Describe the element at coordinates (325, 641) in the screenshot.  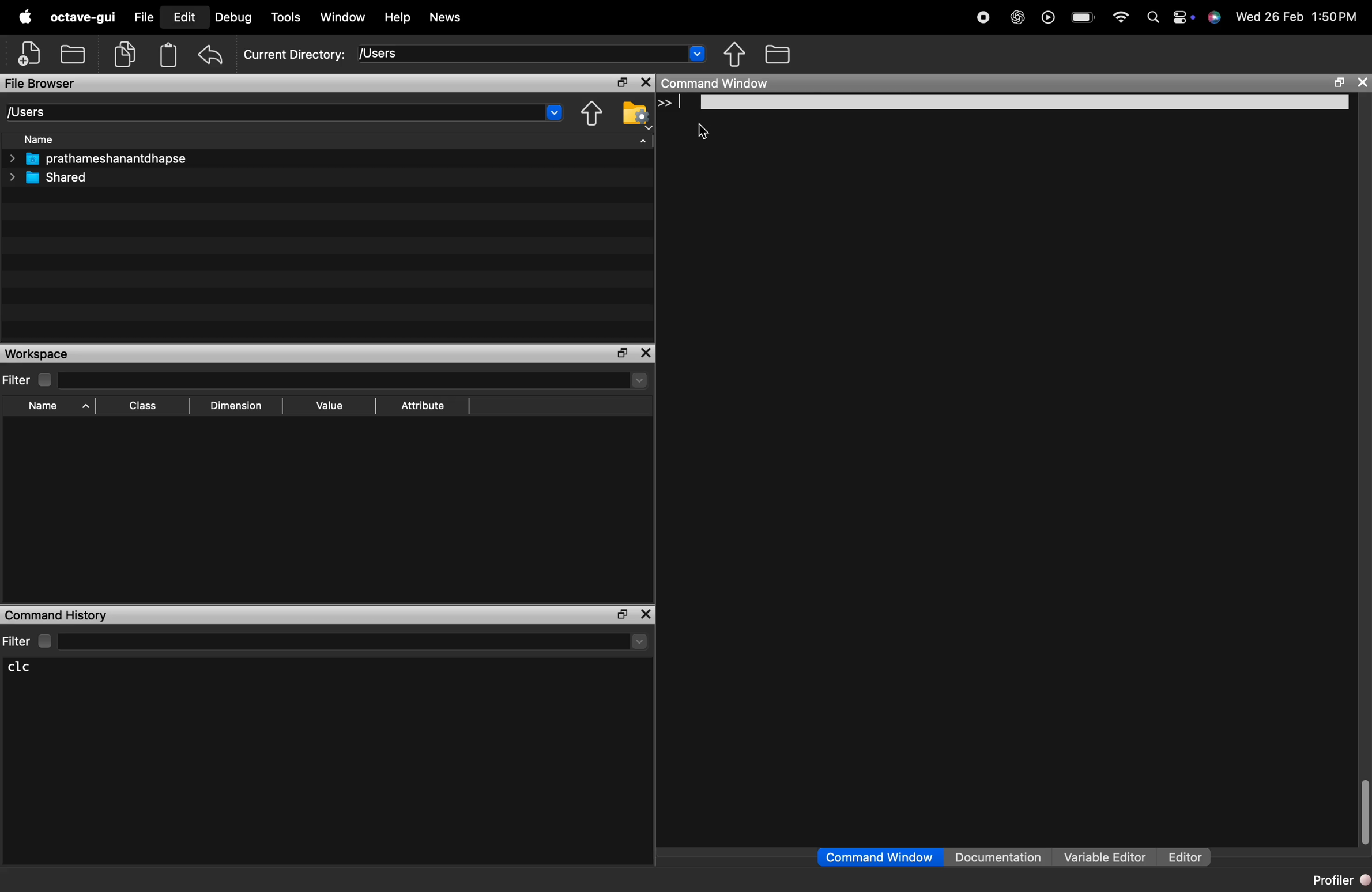
I see `Filter` at that location.